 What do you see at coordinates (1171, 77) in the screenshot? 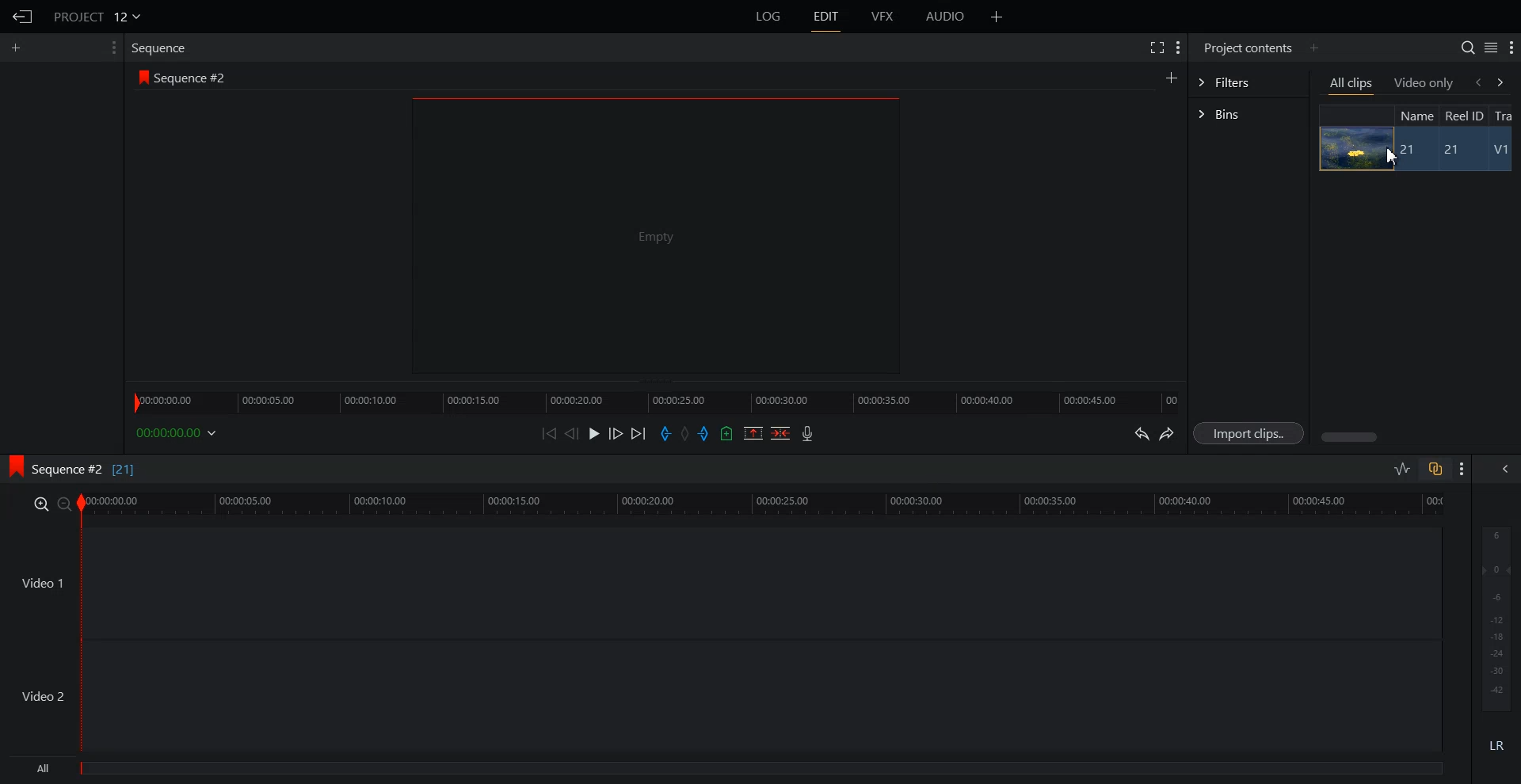
I see `Add panel` at bounding box center [1171, 77].